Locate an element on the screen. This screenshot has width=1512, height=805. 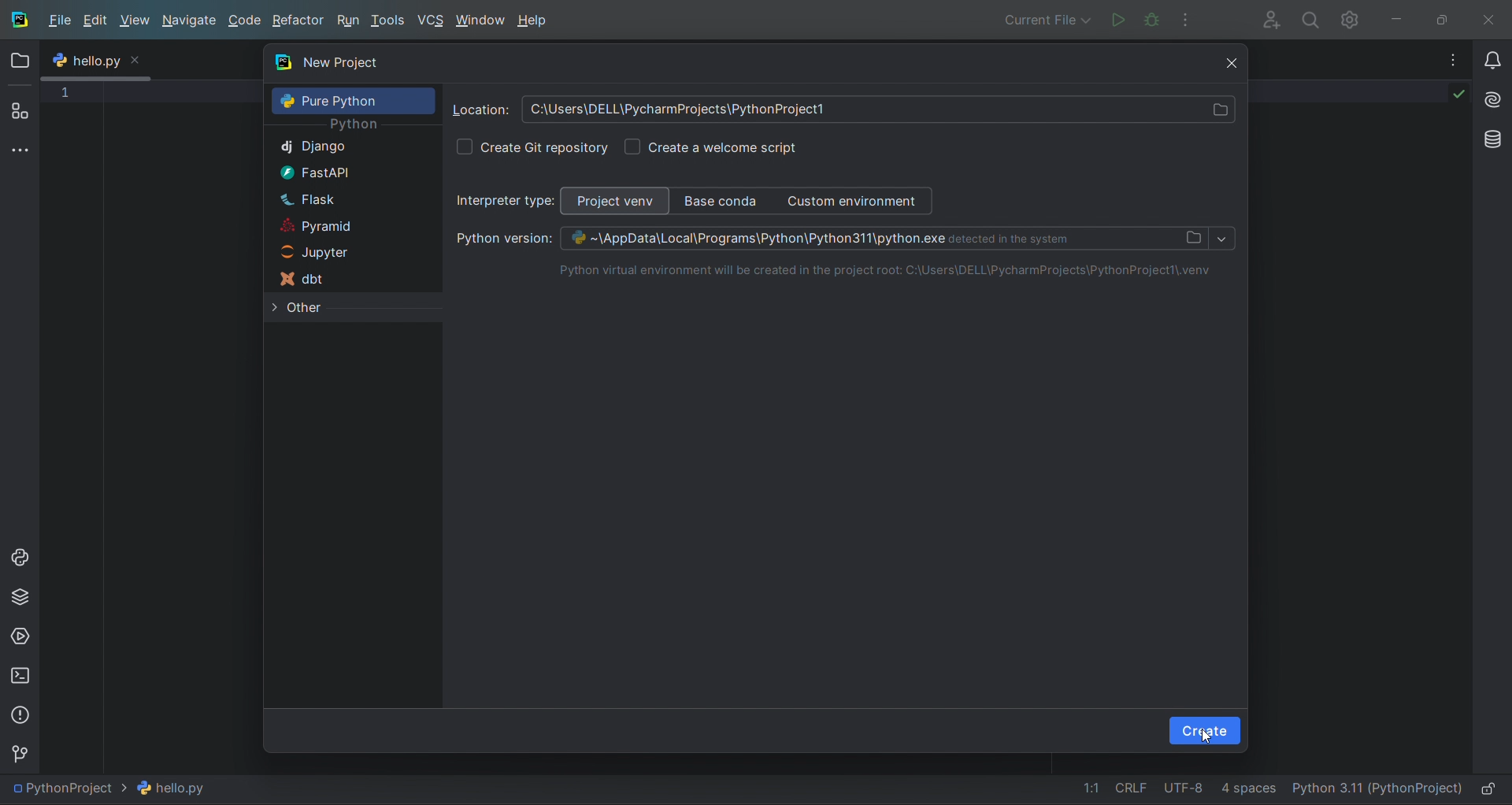
help is located at coordinates (539, 20).